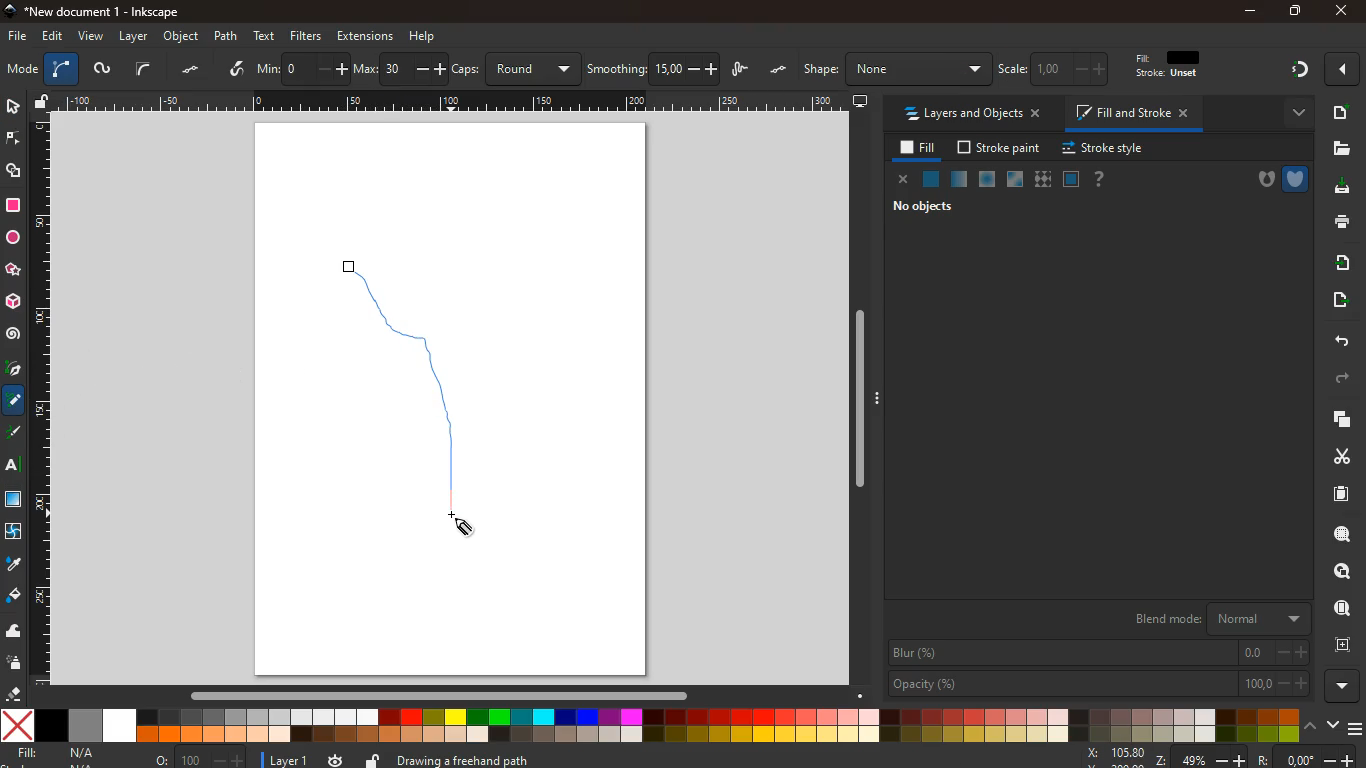 Image resolution: width=1366 pixels, height=768 pixels. I want to click on select, so click(144, 69).